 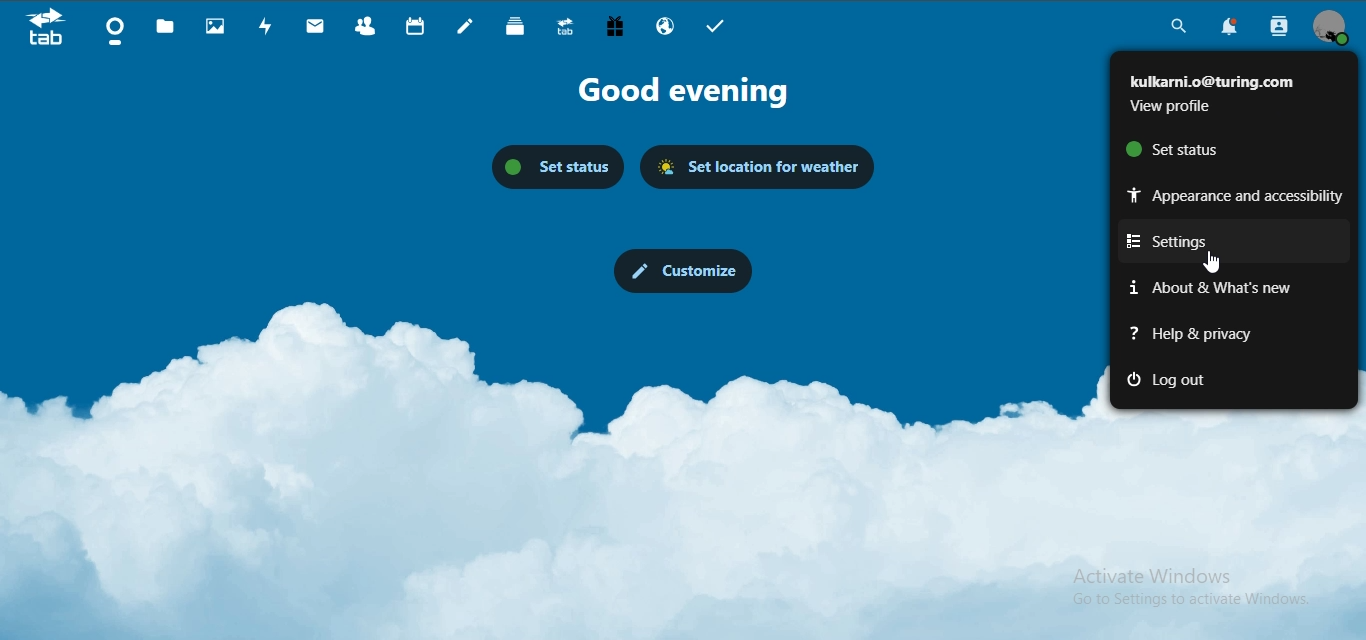 What do you see at coordinates (683, 94) in the screenshot?
I see `Good Evening` at bounding box center [683, 94].